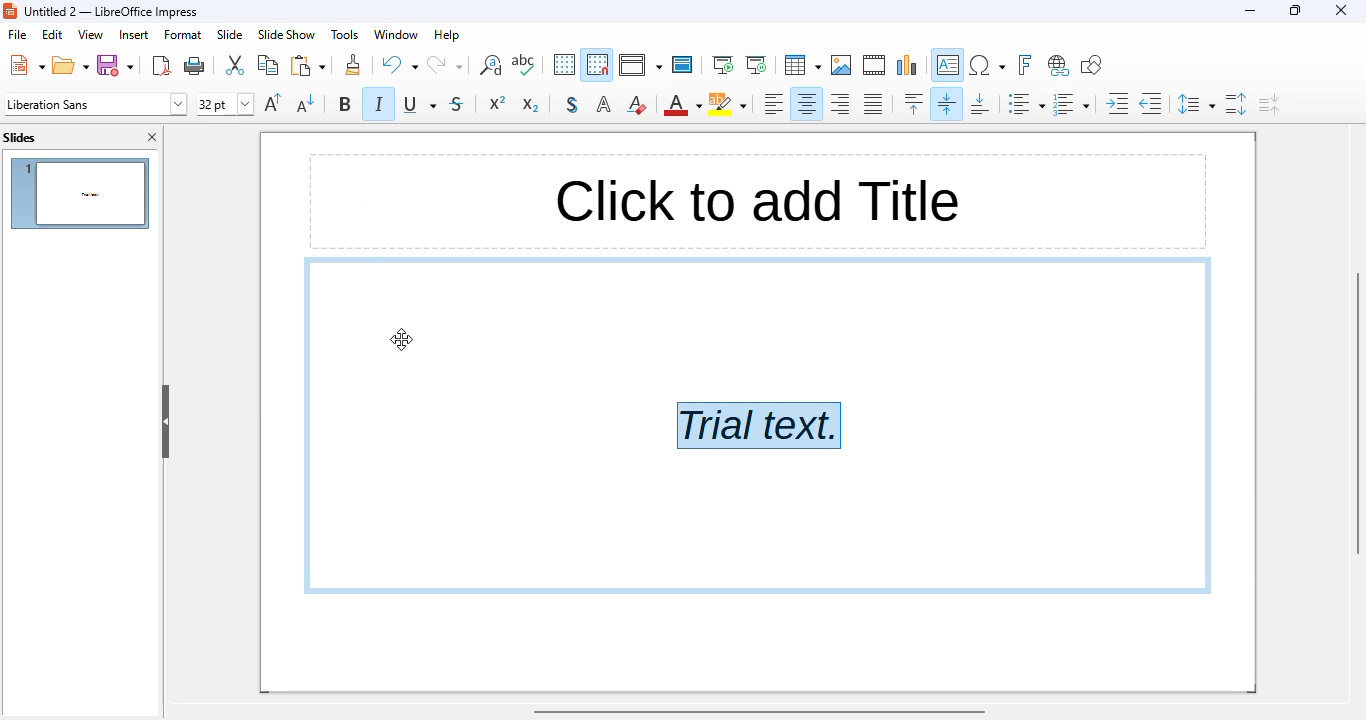 The image size is (1366, 720). I want to click on align center, so click(806, 104).